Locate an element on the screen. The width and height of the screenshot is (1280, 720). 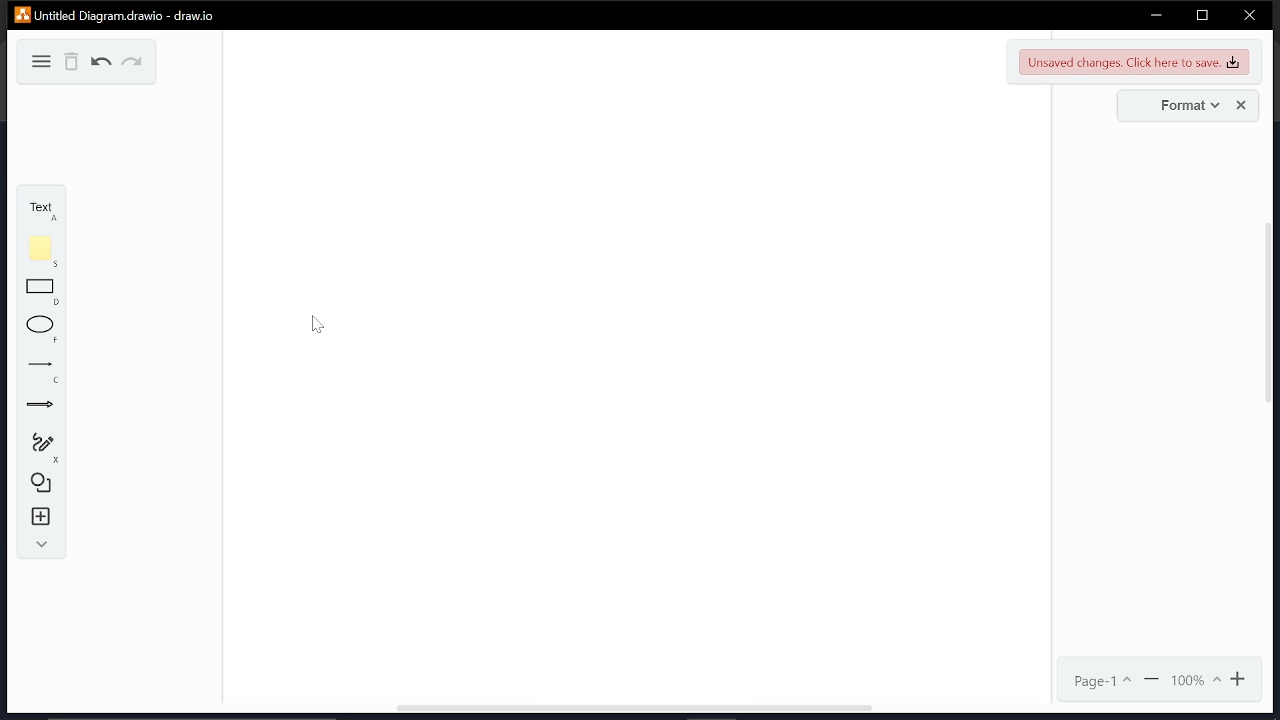
restore down is located at coordinates (1202, 15).